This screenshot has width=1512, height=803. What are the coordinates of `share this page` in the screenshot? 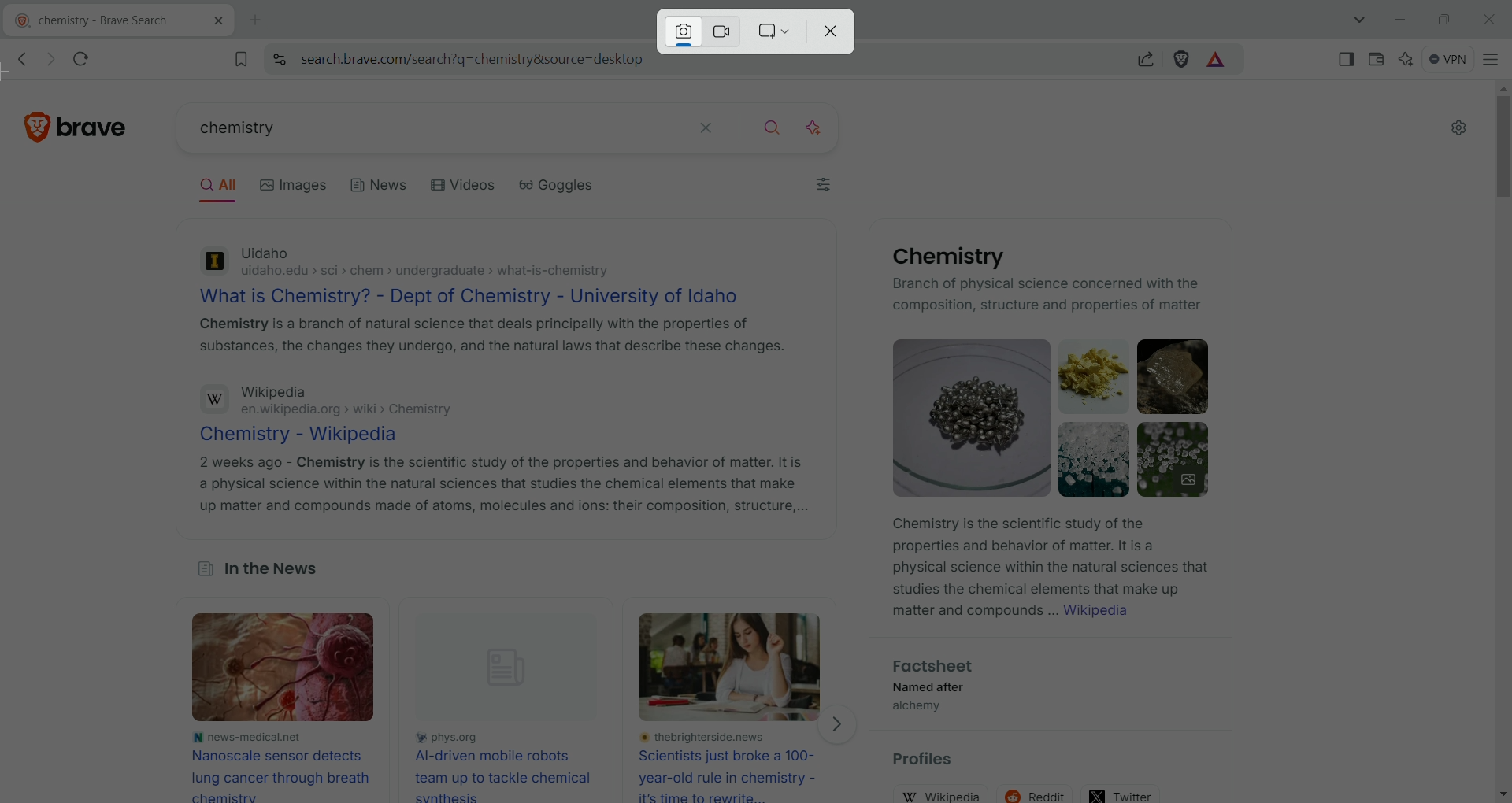 It's located at (1146, 58).